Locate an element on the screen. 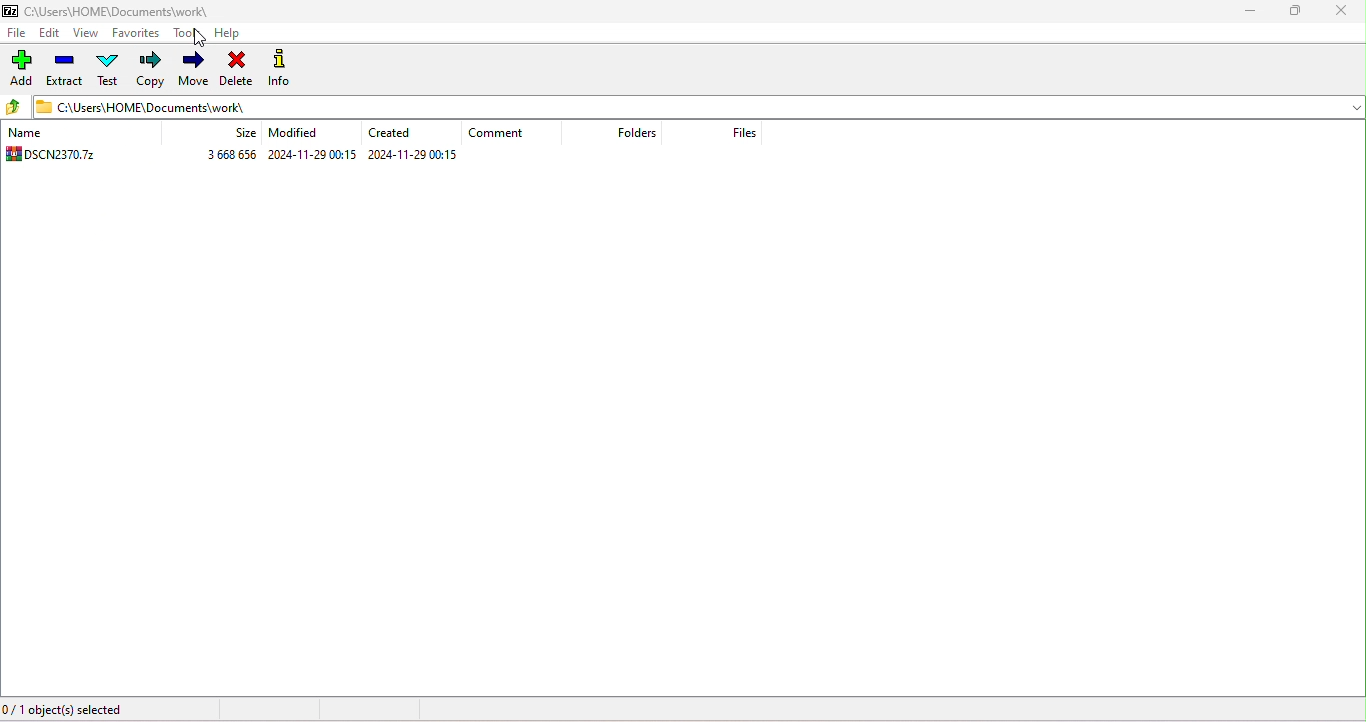  delete is located at coordinates (239, 70).